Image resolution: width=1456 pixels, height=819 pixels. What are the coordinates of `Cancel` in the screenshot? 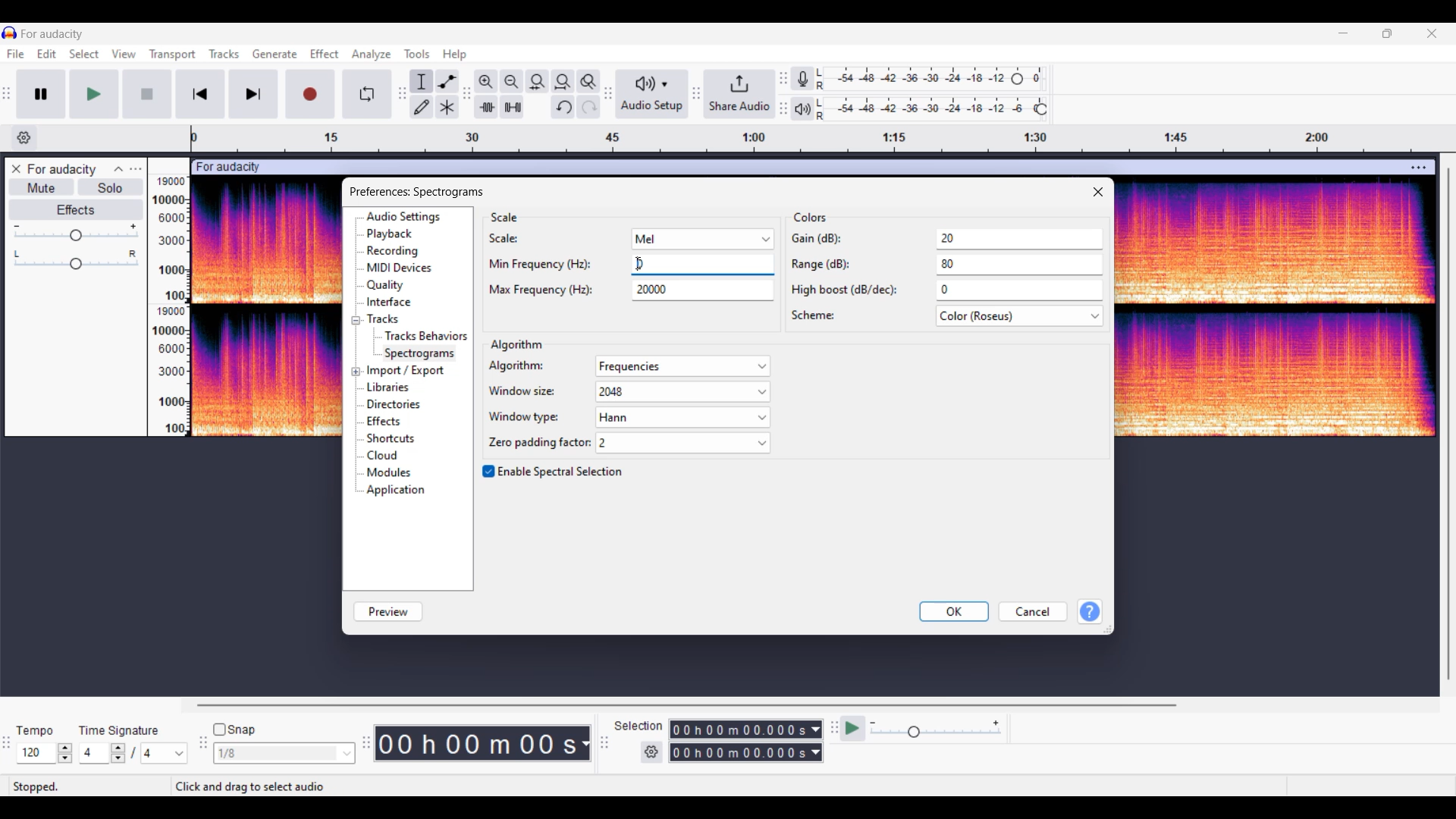 It's located at (1034, 611).